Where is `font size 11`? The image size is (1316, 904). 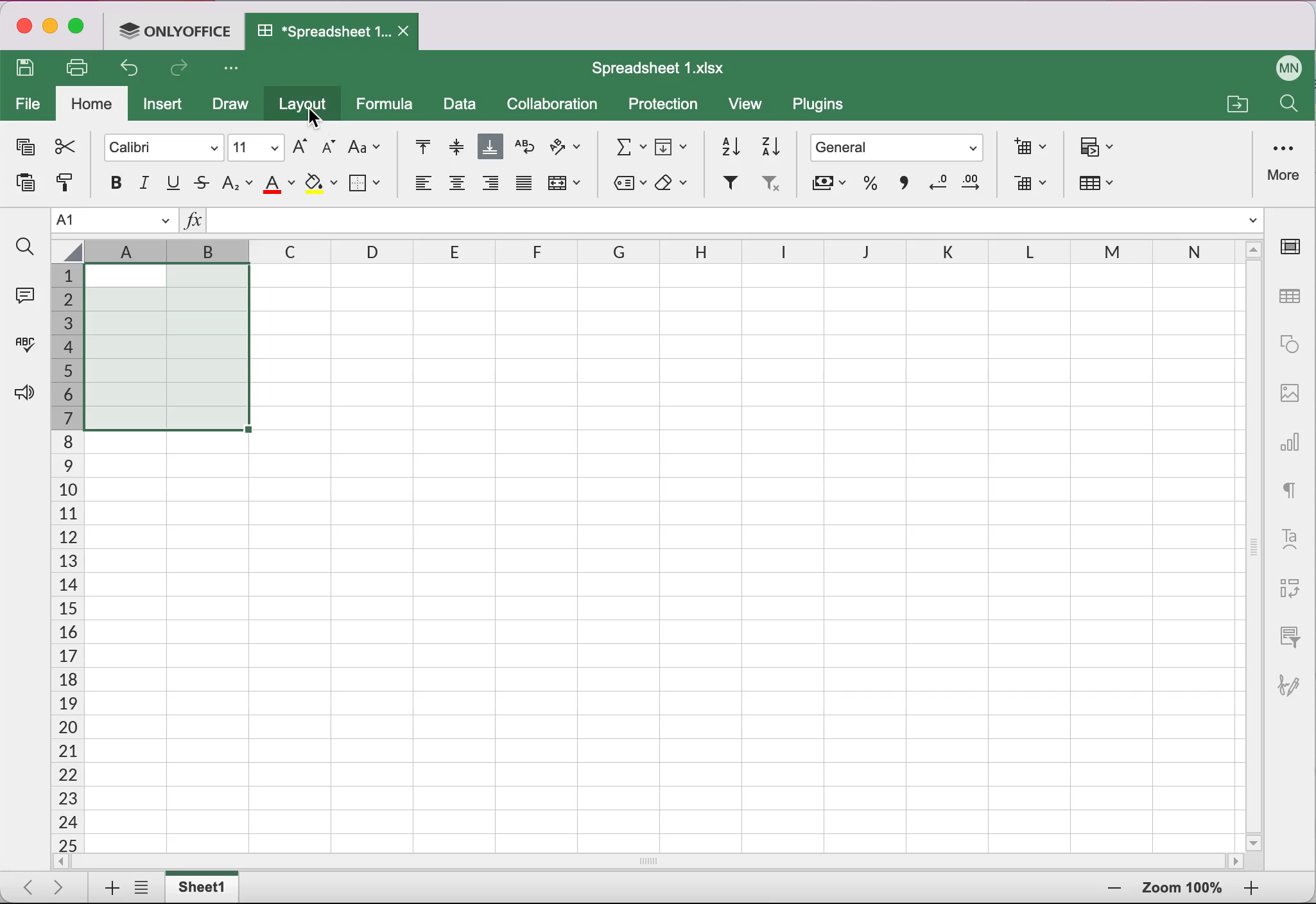 font size 11 is located at coordinates (257, 146).